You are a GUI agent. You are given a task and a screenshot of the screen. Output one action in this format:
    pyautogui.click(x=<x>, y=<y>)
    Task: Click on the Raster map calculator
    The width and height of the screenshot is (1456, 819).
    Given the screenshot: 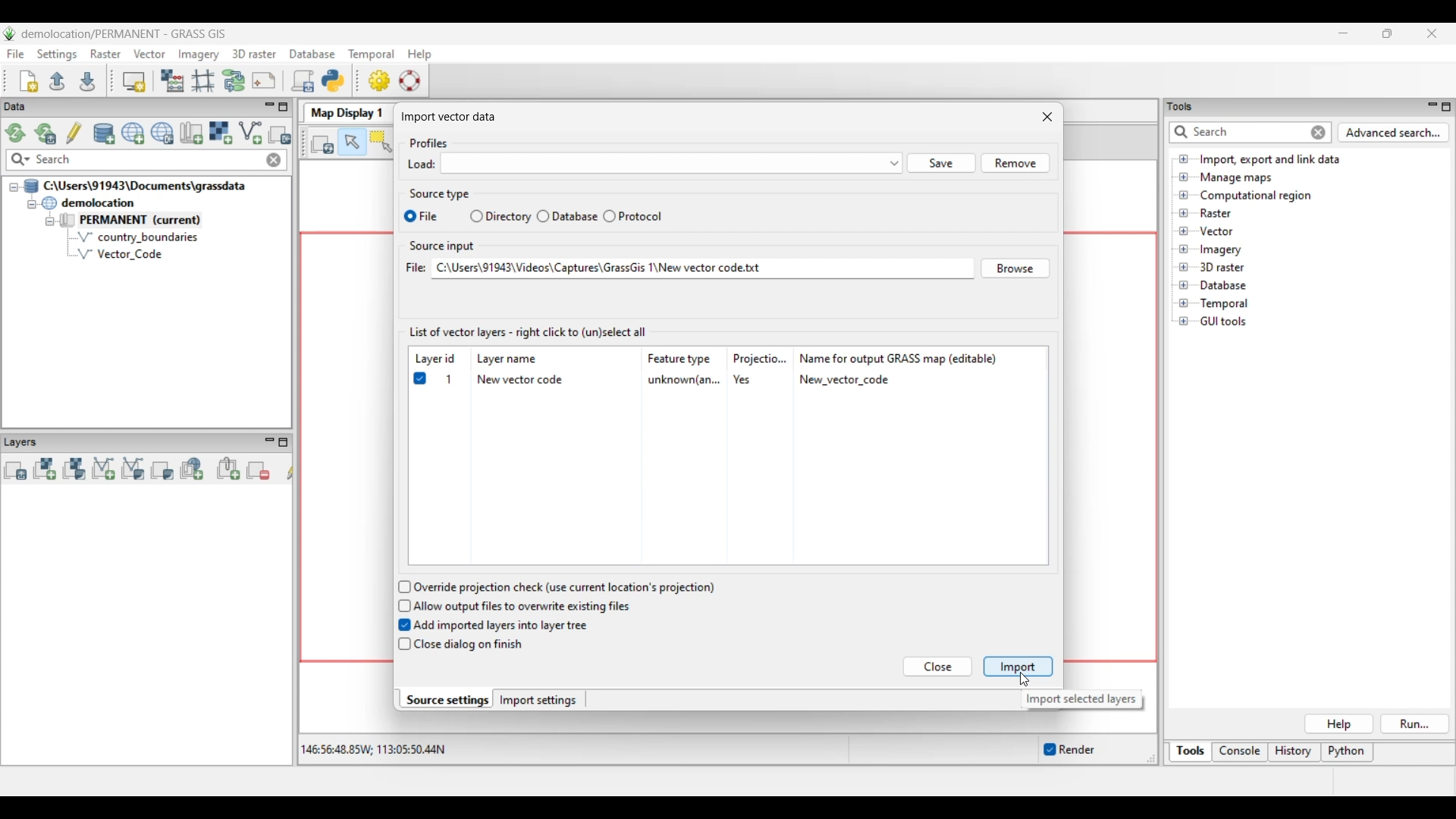 What is the action you would take?
    pyautogui.click(x=172, y=80)
    